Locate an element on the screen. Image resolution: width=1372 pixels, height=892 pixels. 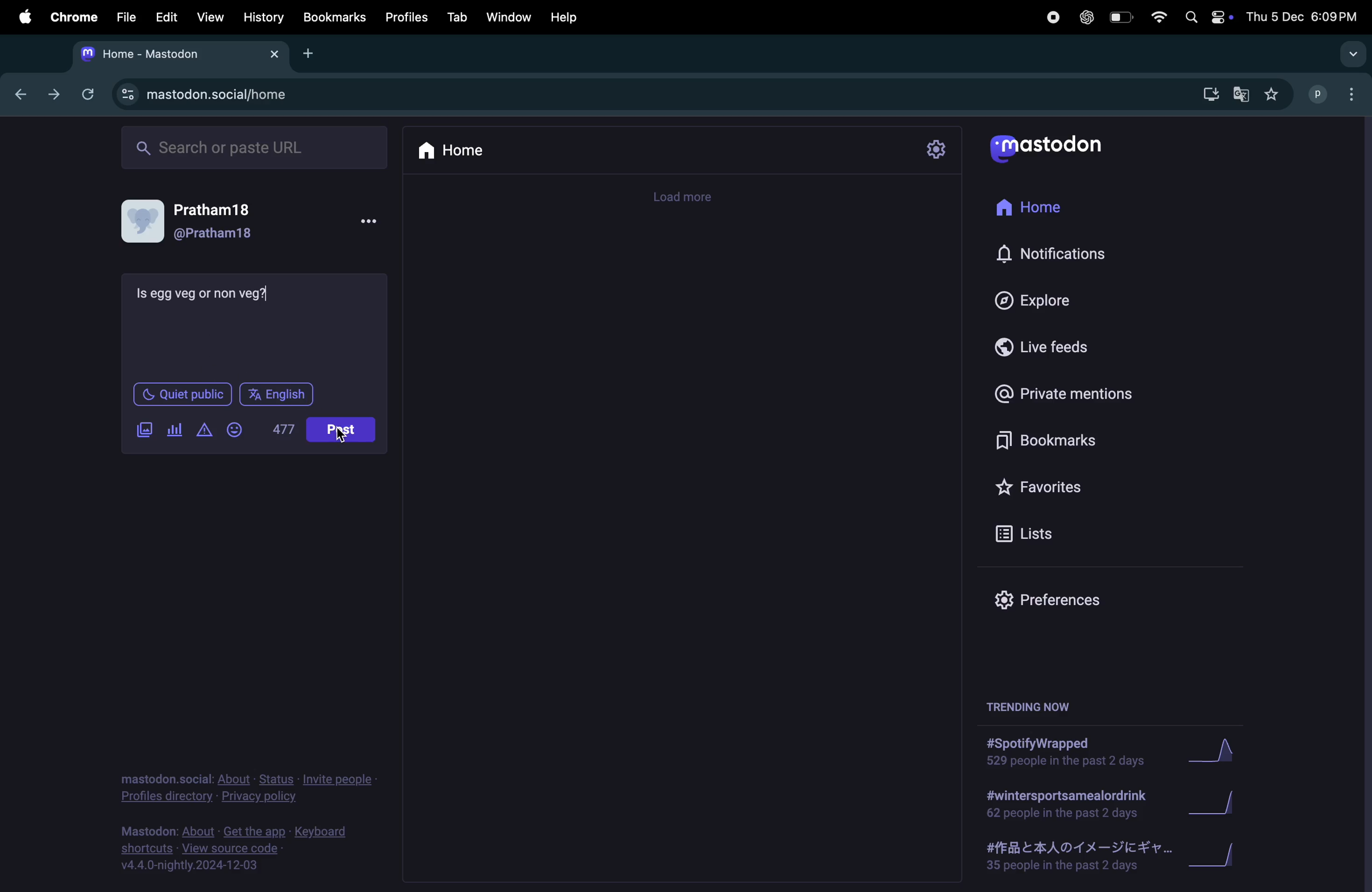
user profile is located at coordinates (1336, 93).